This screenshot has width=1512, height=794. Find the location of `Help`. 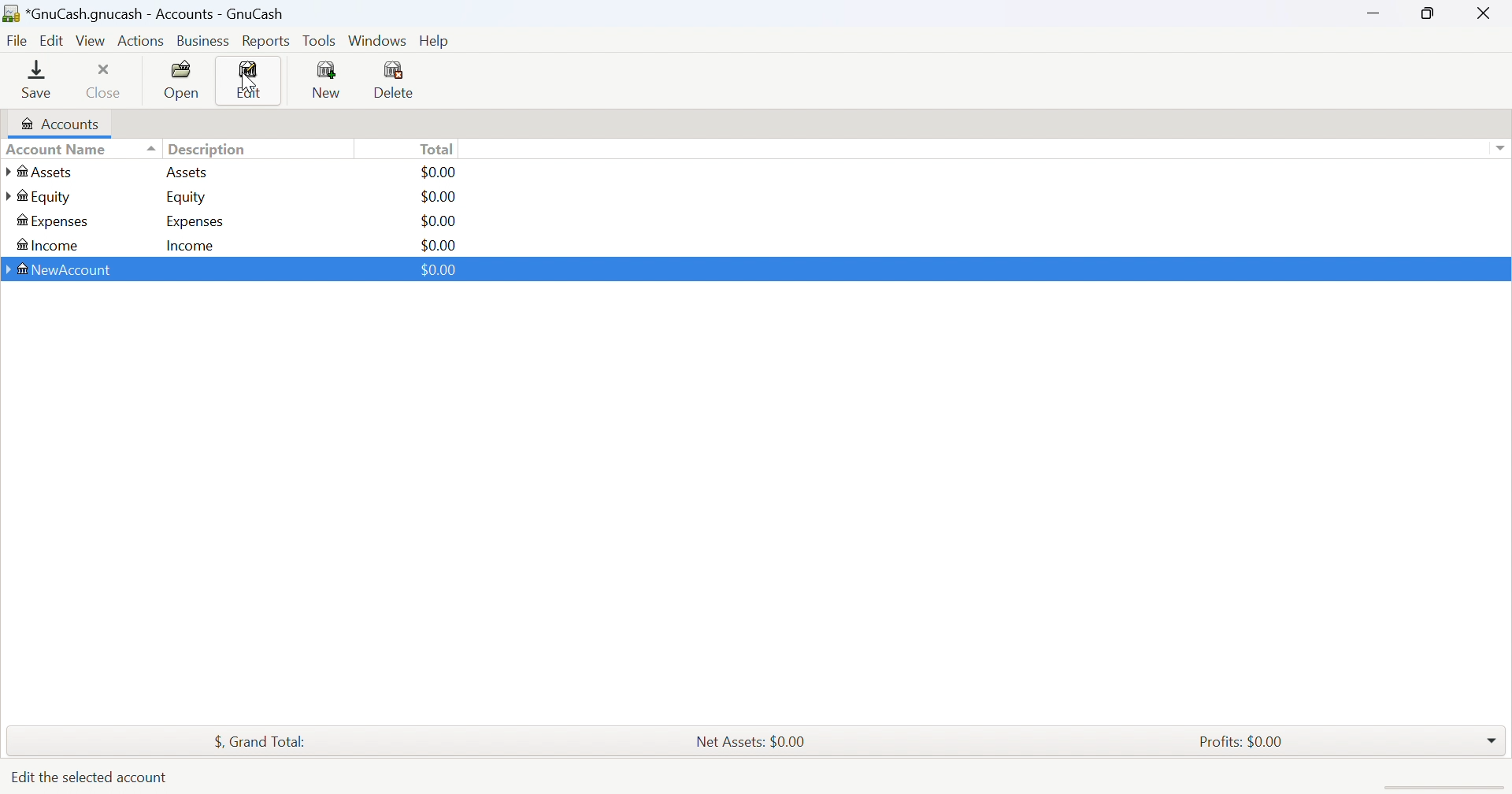

Help is located at coordinates (439, 41).